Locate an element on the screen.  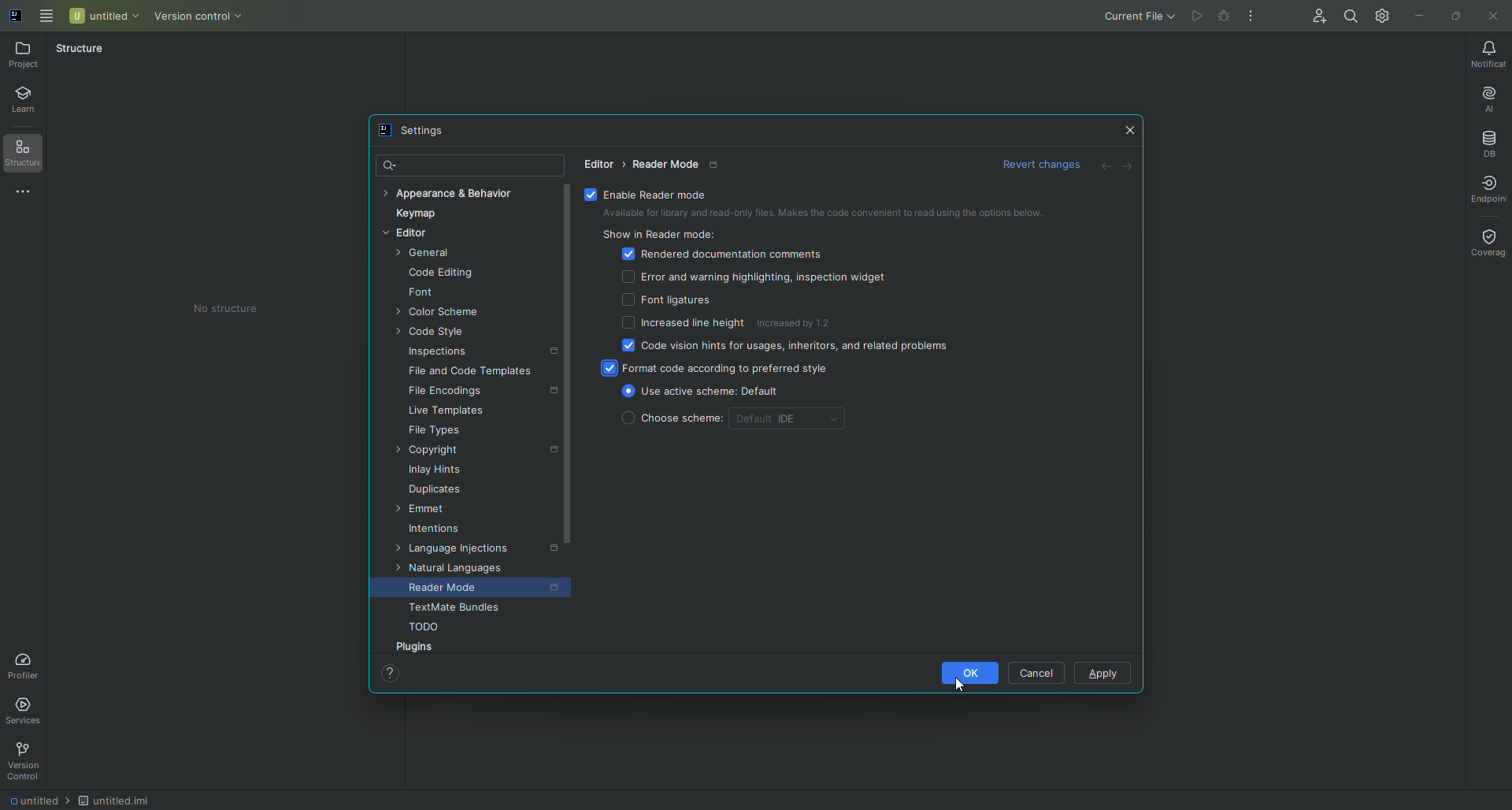
Minimize is located at coordinates (1420, 17).